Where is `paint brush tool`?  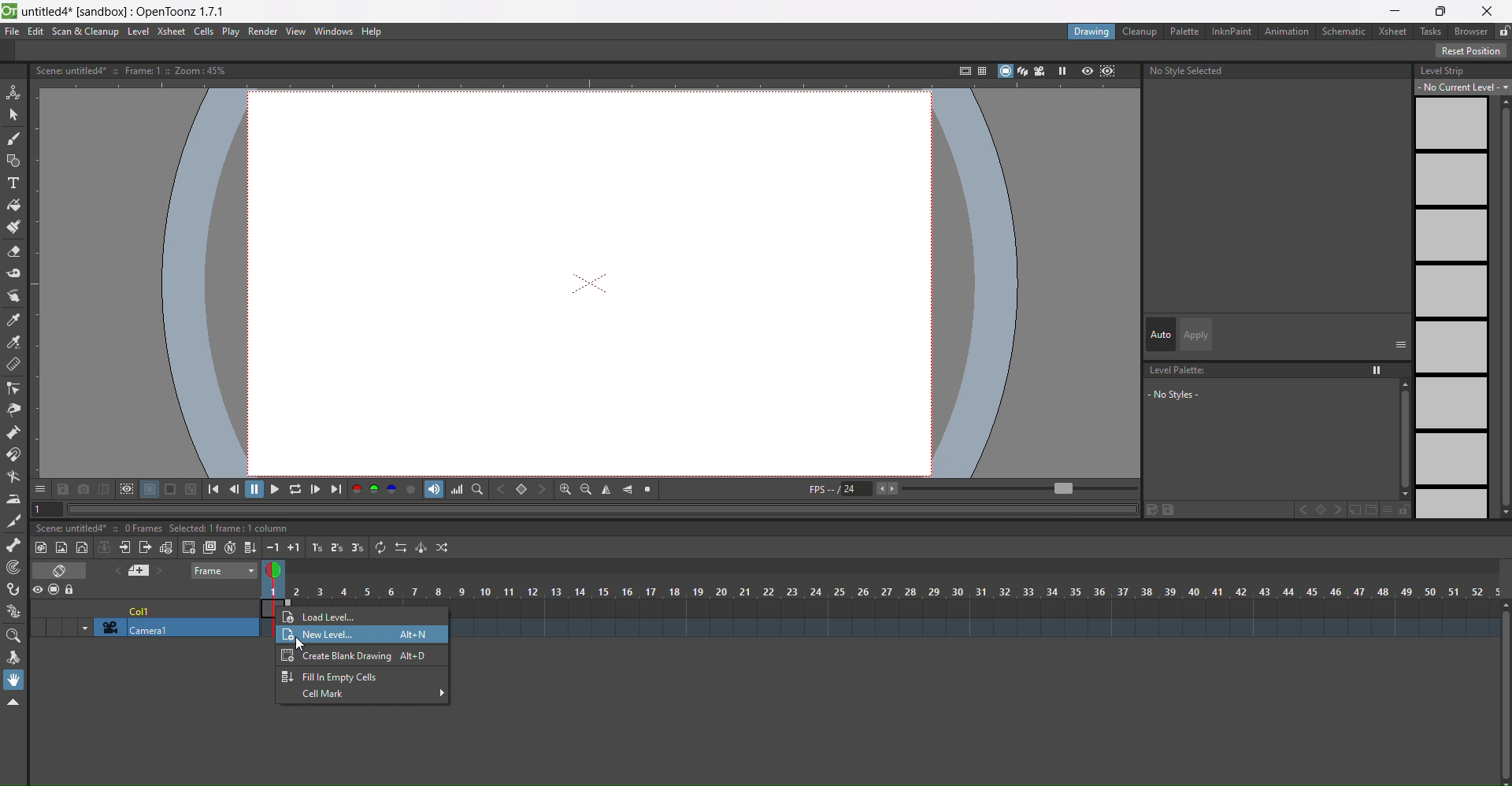
paint brush tool is located at coordinates (14, 226).